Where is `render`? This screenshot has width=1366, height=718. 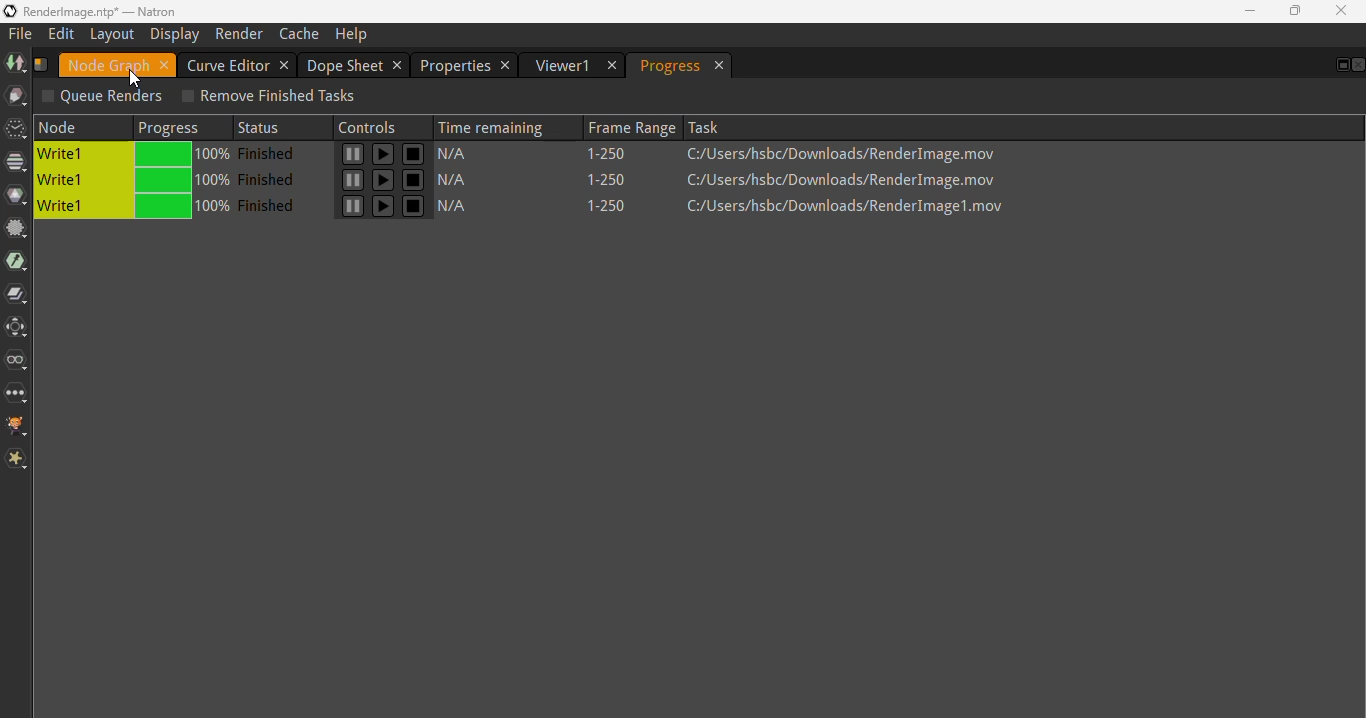 render is located at coordinates (239, 34).